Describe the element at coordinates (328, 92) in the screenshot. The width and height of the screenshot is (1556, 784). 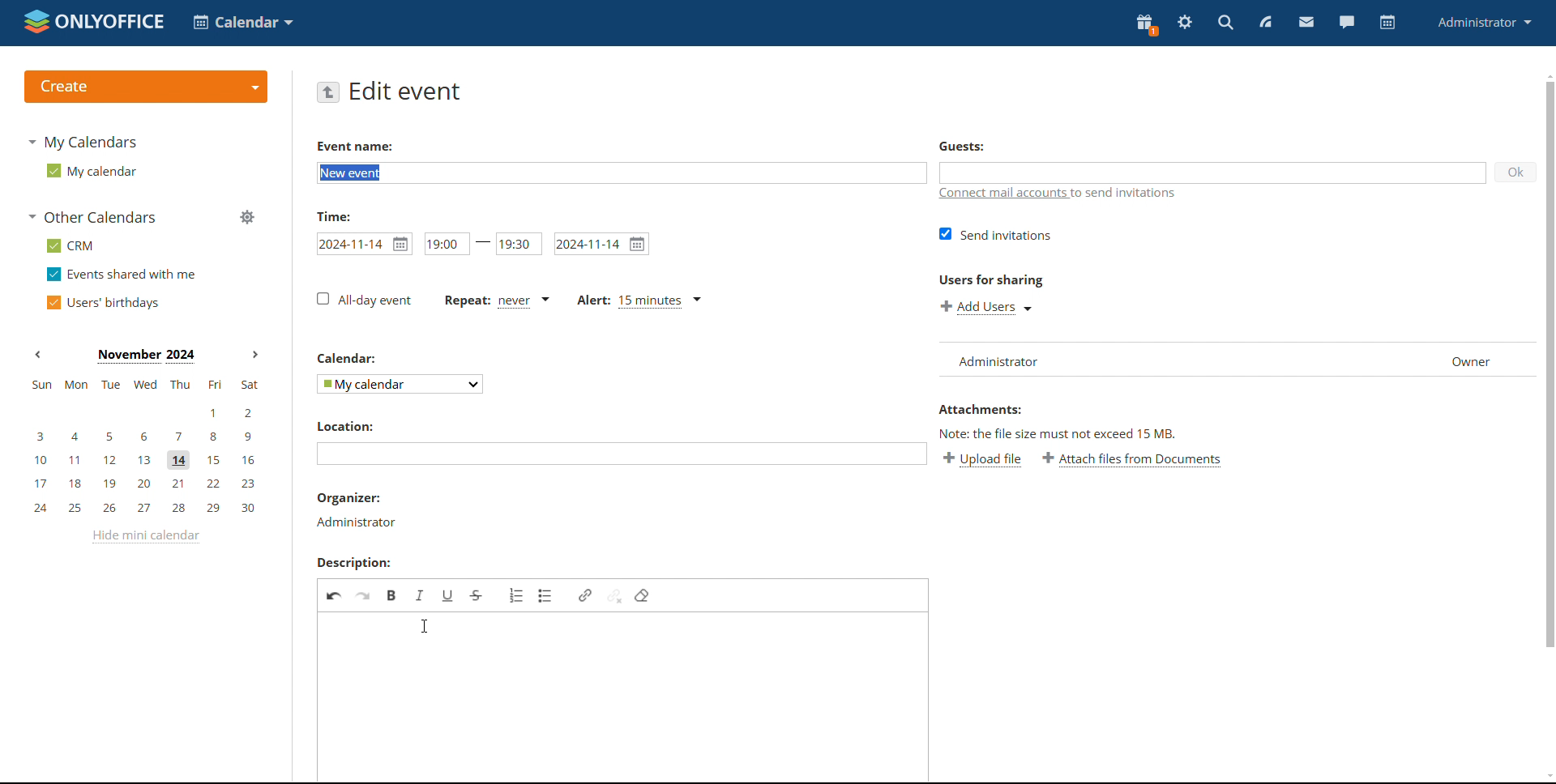
I see `go back` at that location.